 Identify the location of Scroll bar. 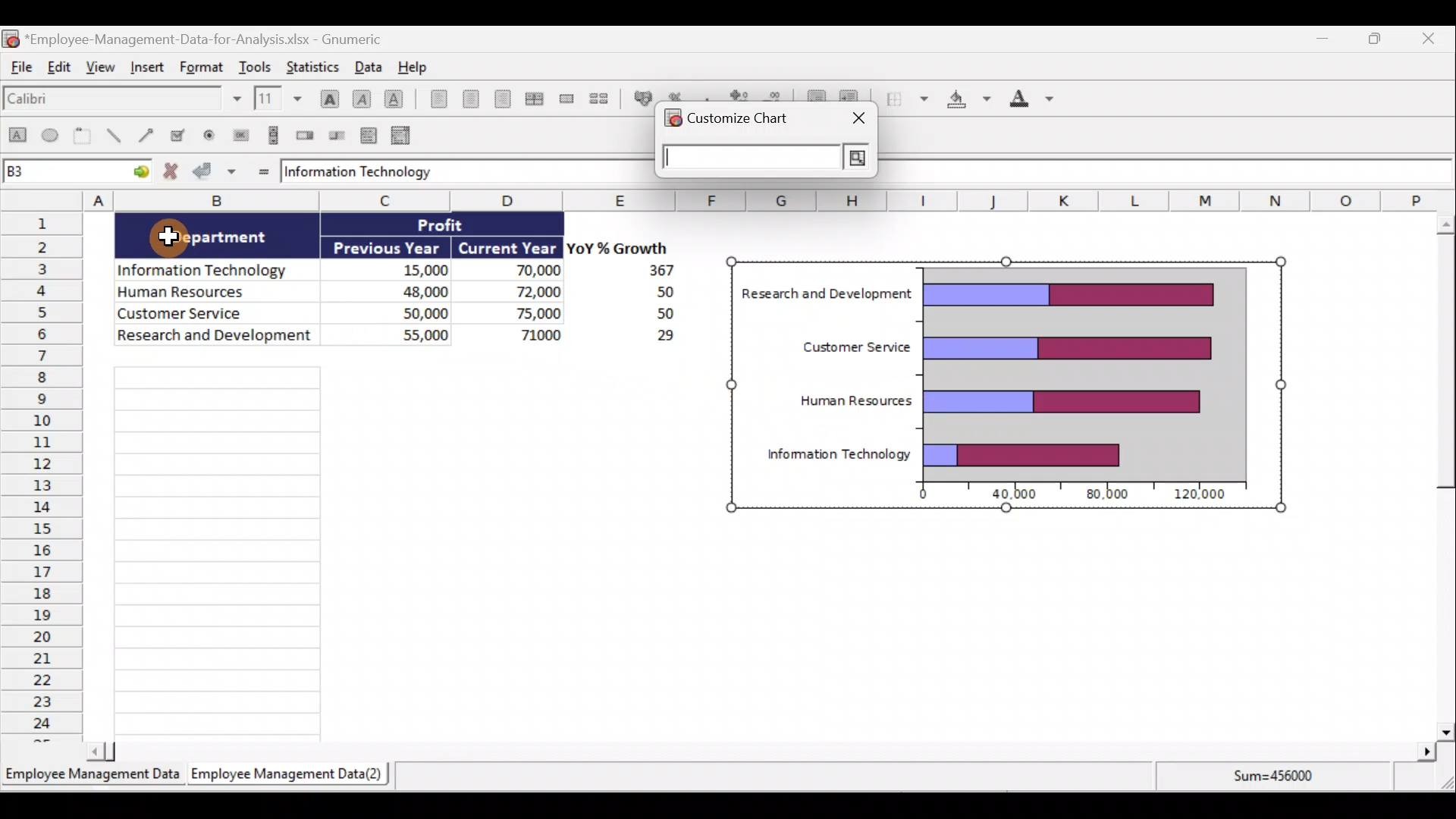
(763, 752).